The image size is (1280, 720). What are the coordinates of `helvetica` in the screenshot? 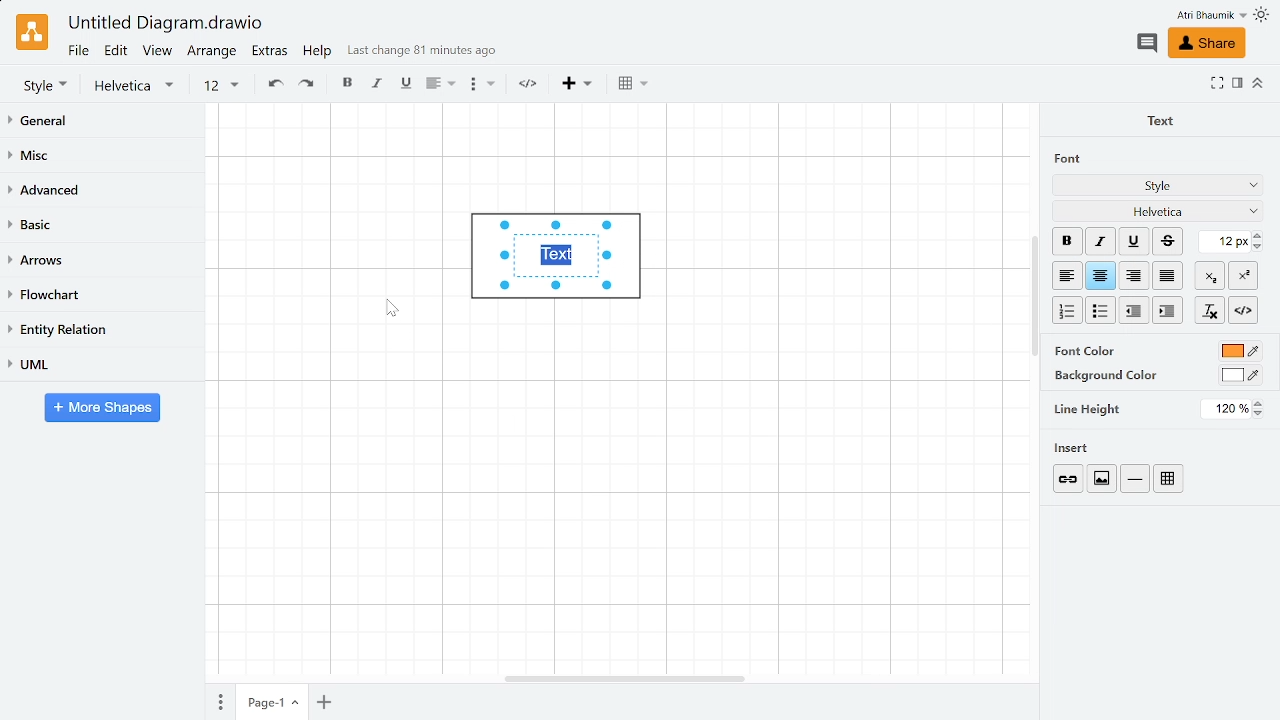 It's located at (138, 86).